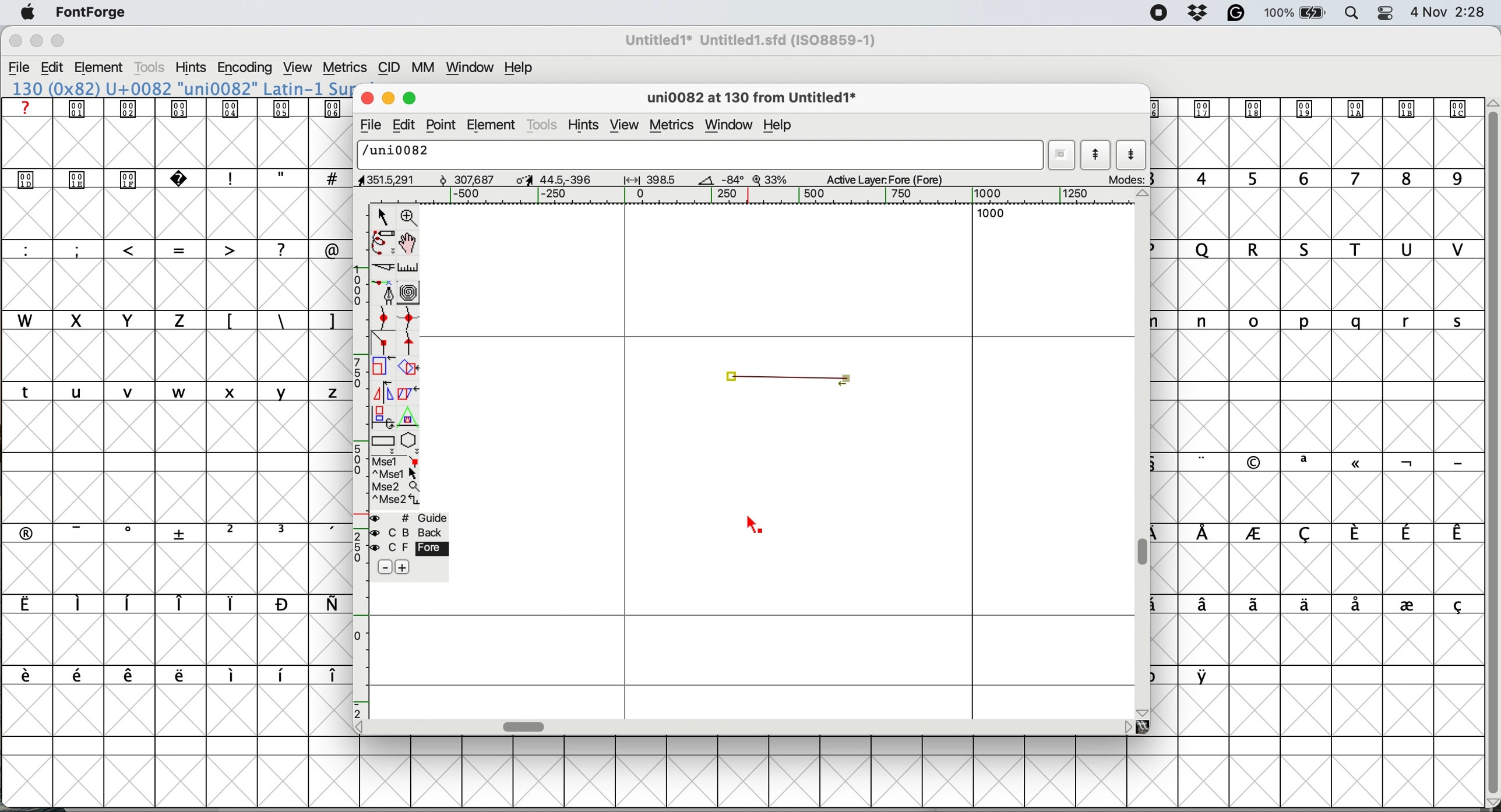 This screenshot has height=812, width=1501. Describe the element at coordinates (410, 518) in the screenshot. I see `guide` at that location.